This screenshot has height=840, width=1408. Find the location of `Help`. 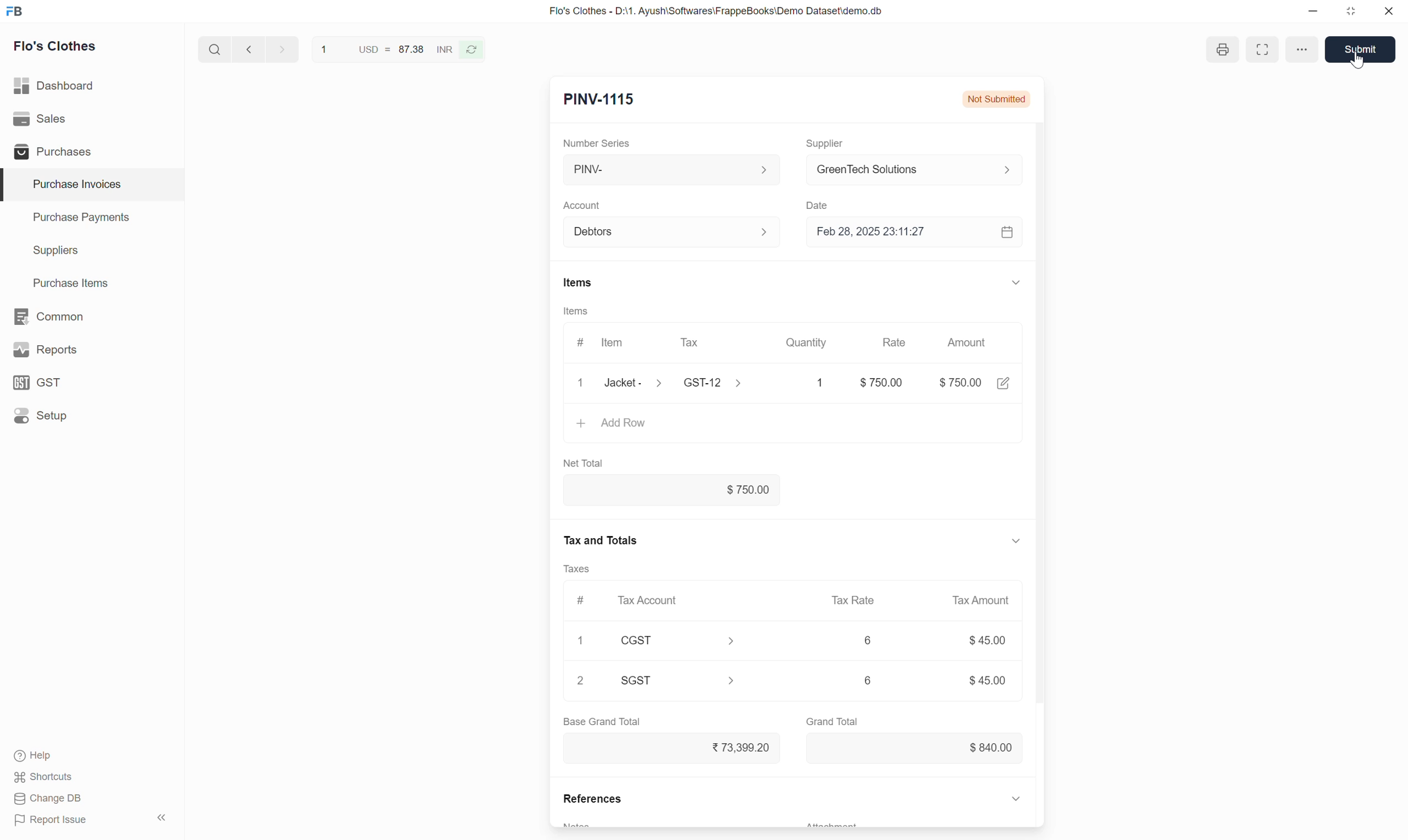

Help is located at coordinates (36, 756).